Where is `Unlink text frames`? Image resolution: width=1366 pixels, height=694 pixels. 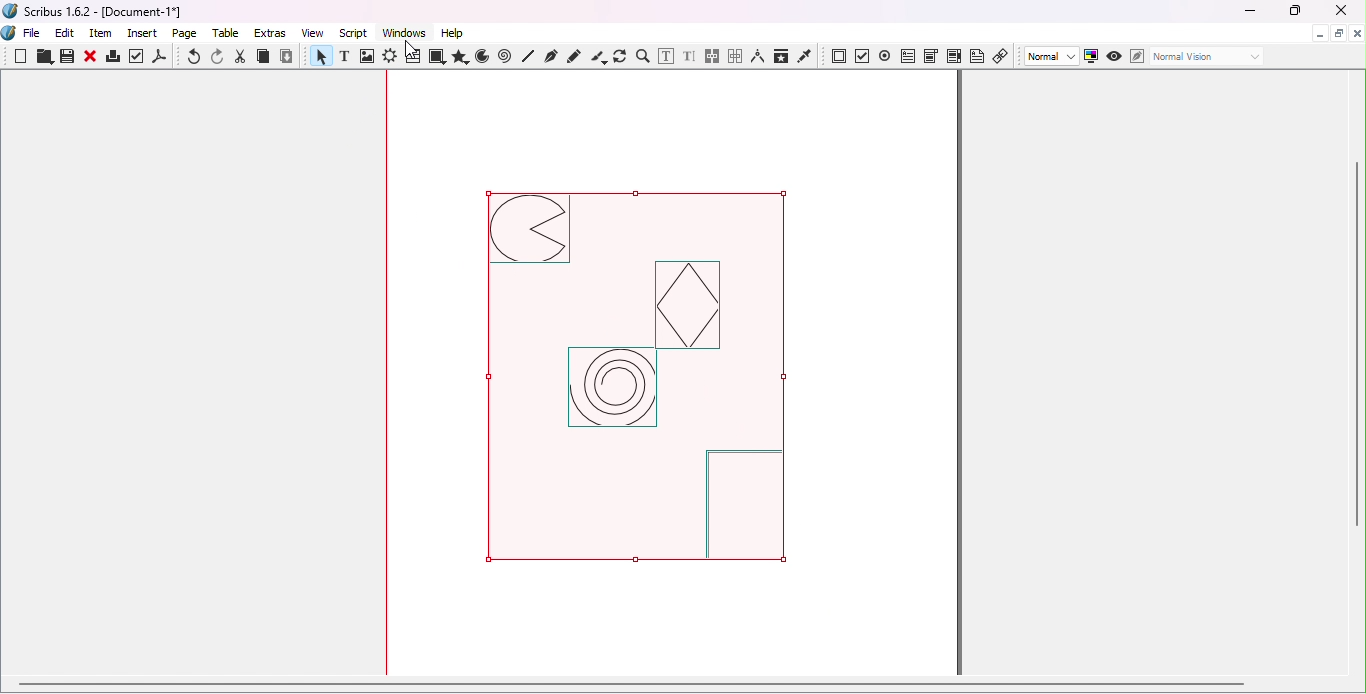
Unlink text frames is located at coordinates (735, 56).